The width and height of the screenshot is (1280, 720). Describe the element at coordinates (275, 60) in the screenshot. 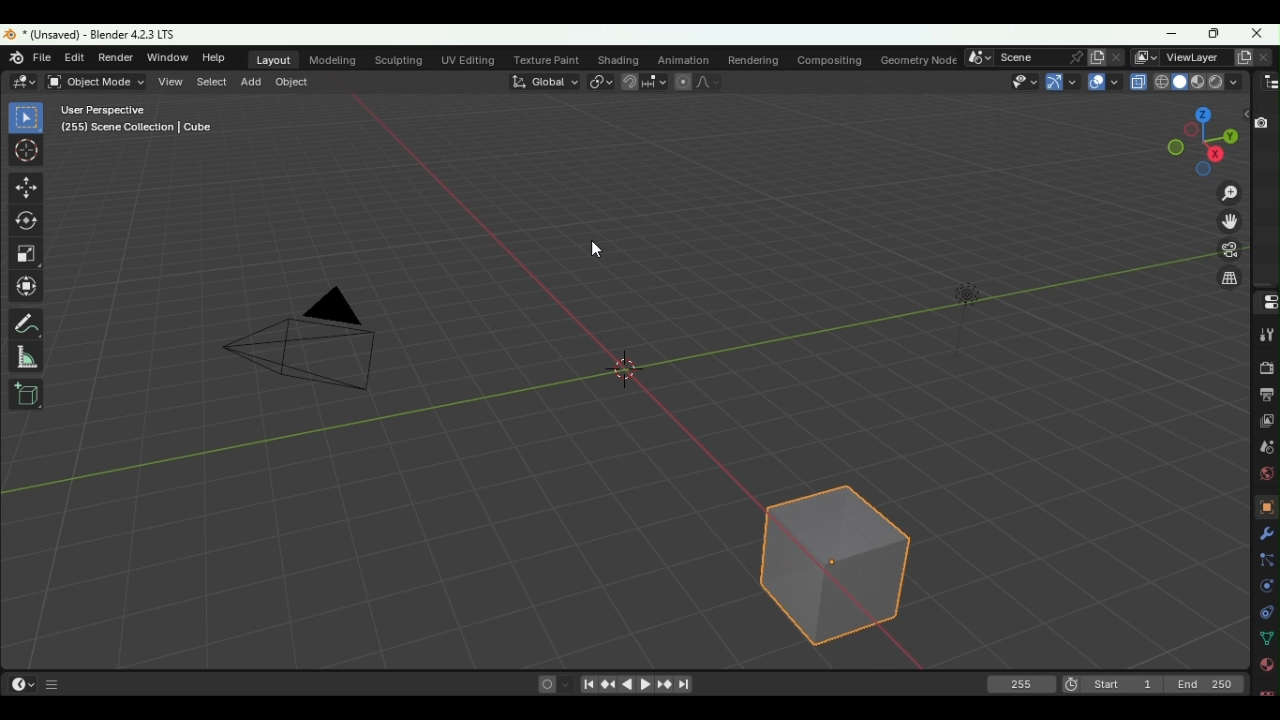

I see `Layout` at that location.